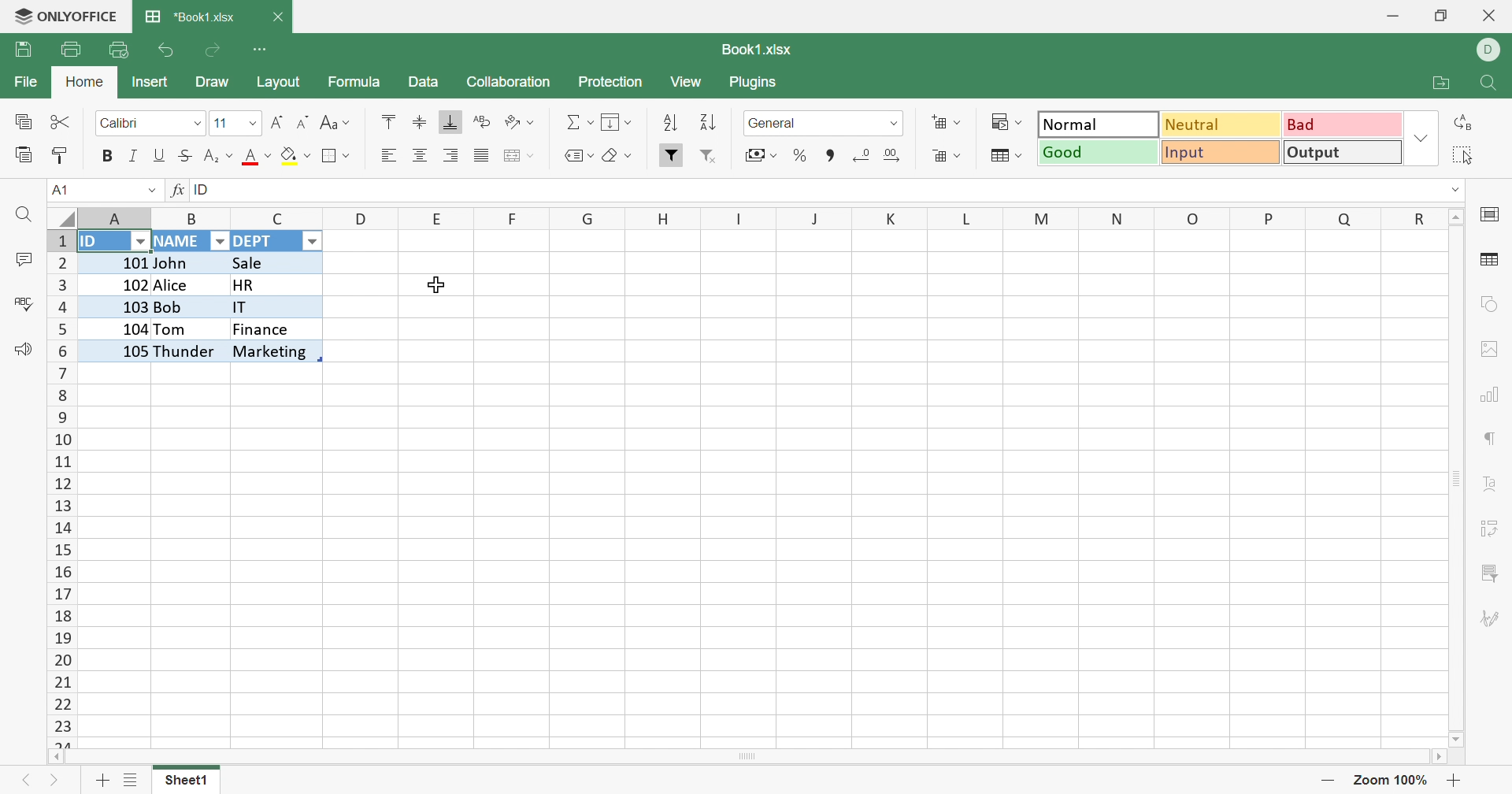 The width and height of the screenshot is (1512, 794). Describe the element at coordinates (217, 48) in the screenshot. I see `Redo` at that location.